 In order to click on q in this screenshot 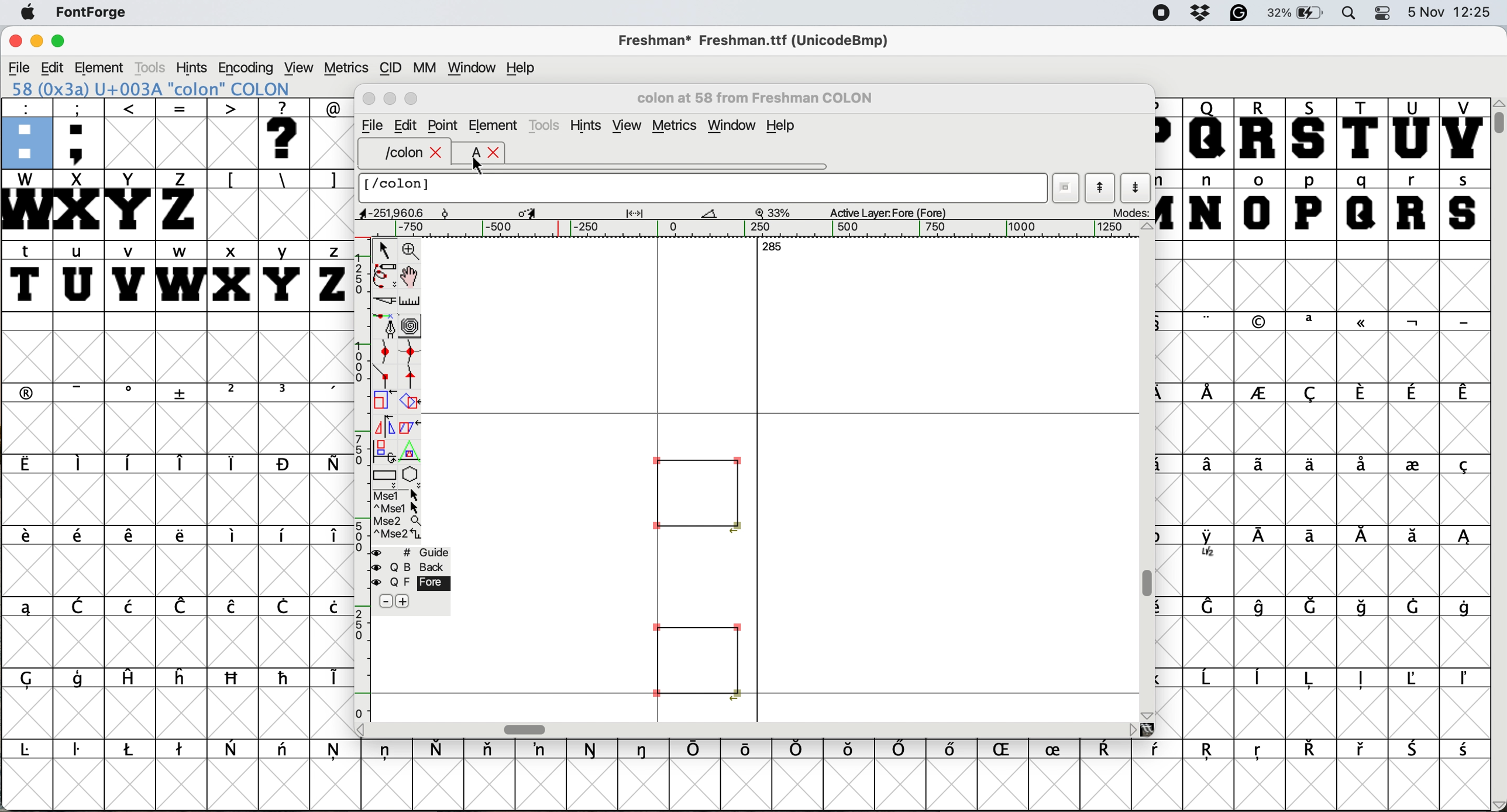, I will do `click(1363, 205)`.